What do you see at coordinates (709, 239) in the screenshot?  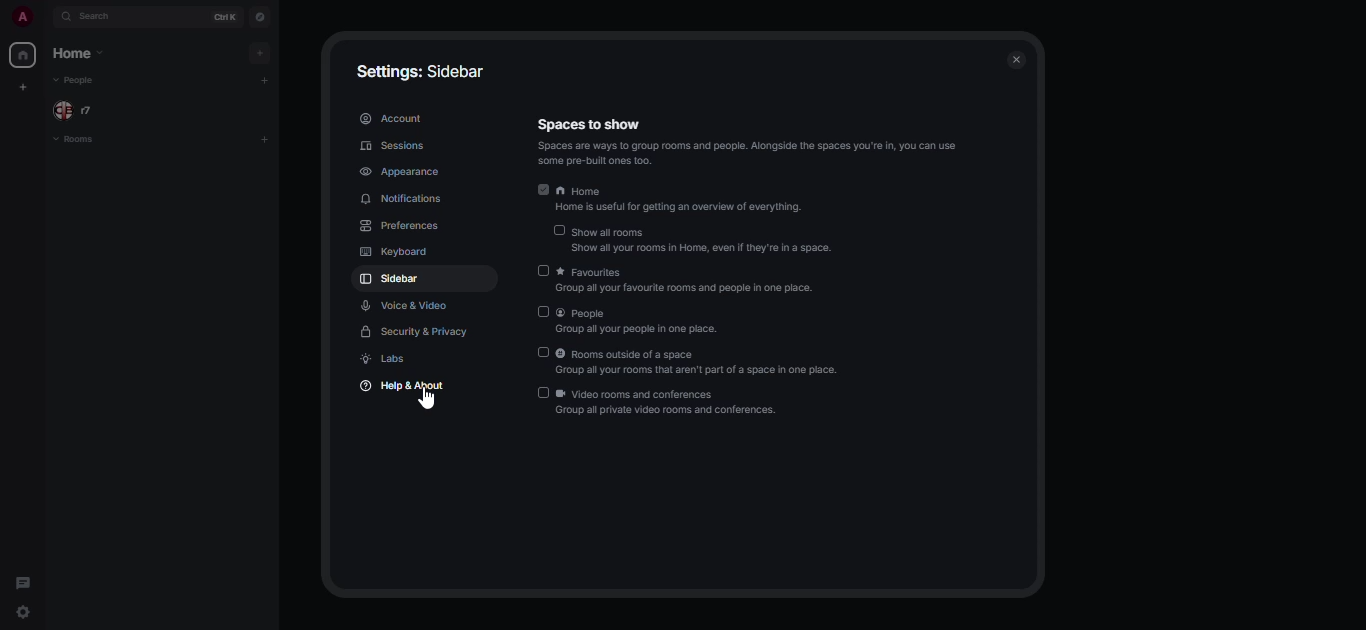 I see `show all rooms show all your rooms in home, even if they're in a space` at bounding box center [709, 239].